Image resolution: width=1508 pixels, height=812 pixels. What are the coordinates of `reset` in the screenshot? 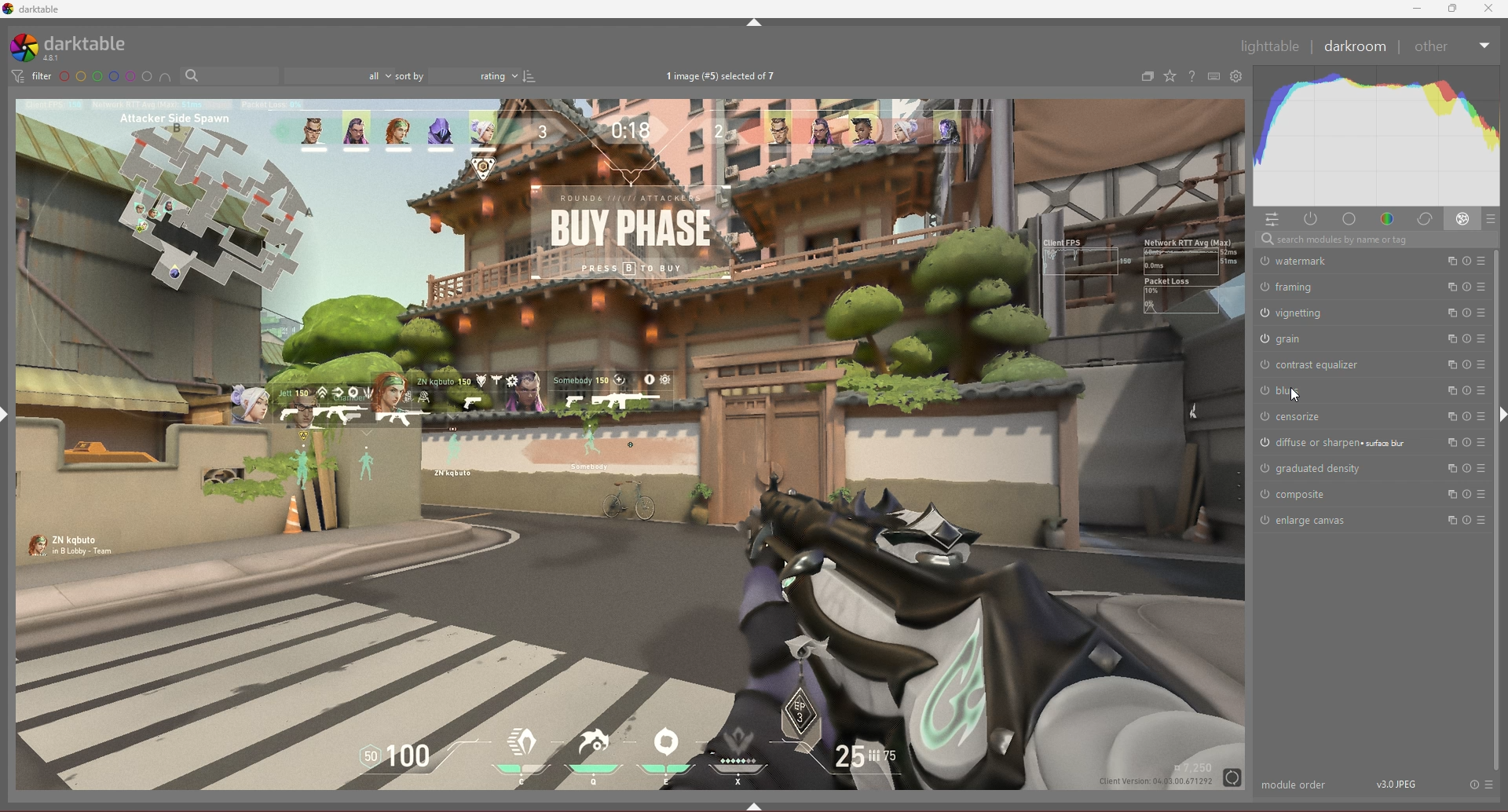 It's located at (1467, 468).